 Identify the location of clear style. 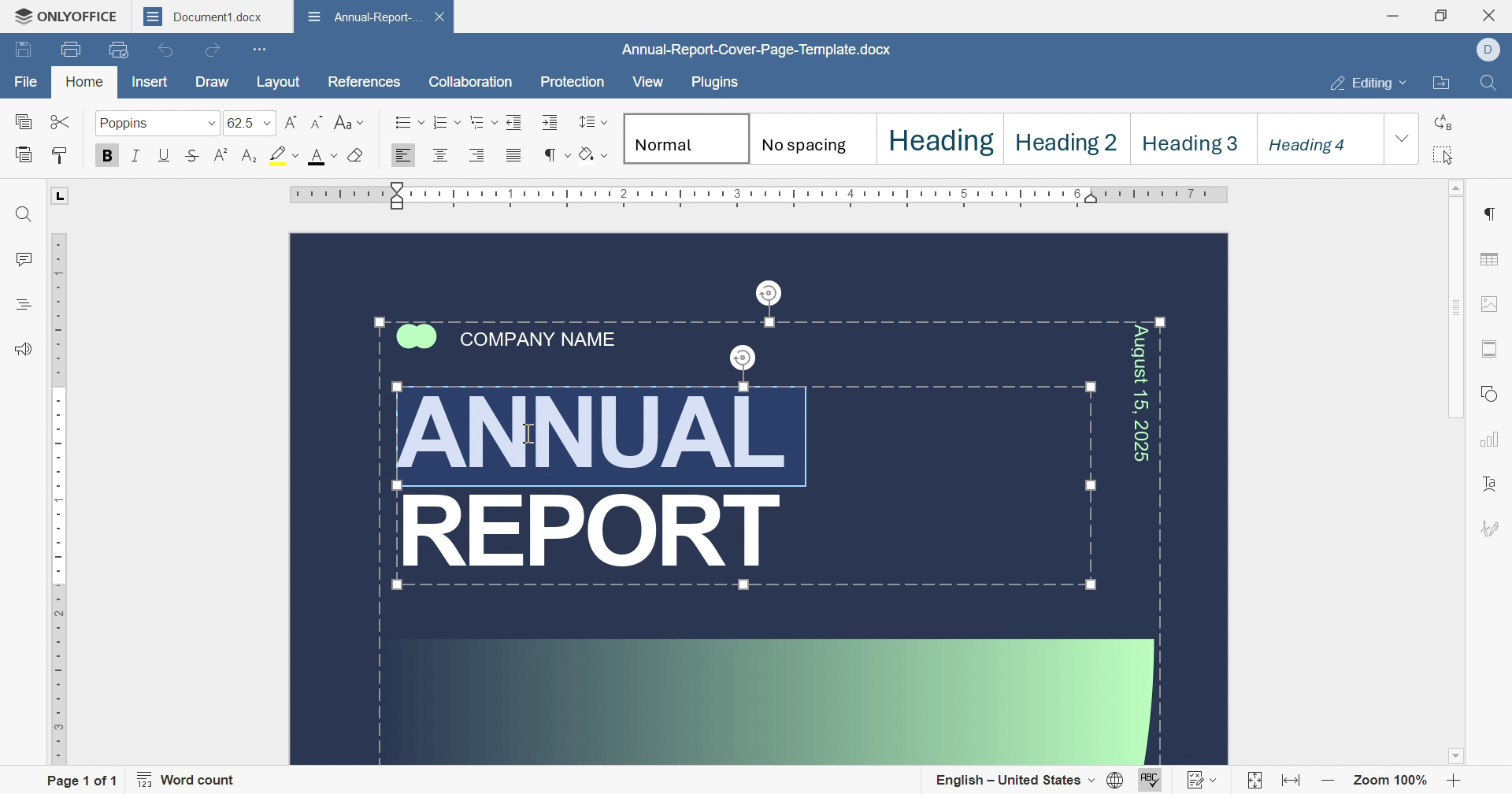
(357, 156).